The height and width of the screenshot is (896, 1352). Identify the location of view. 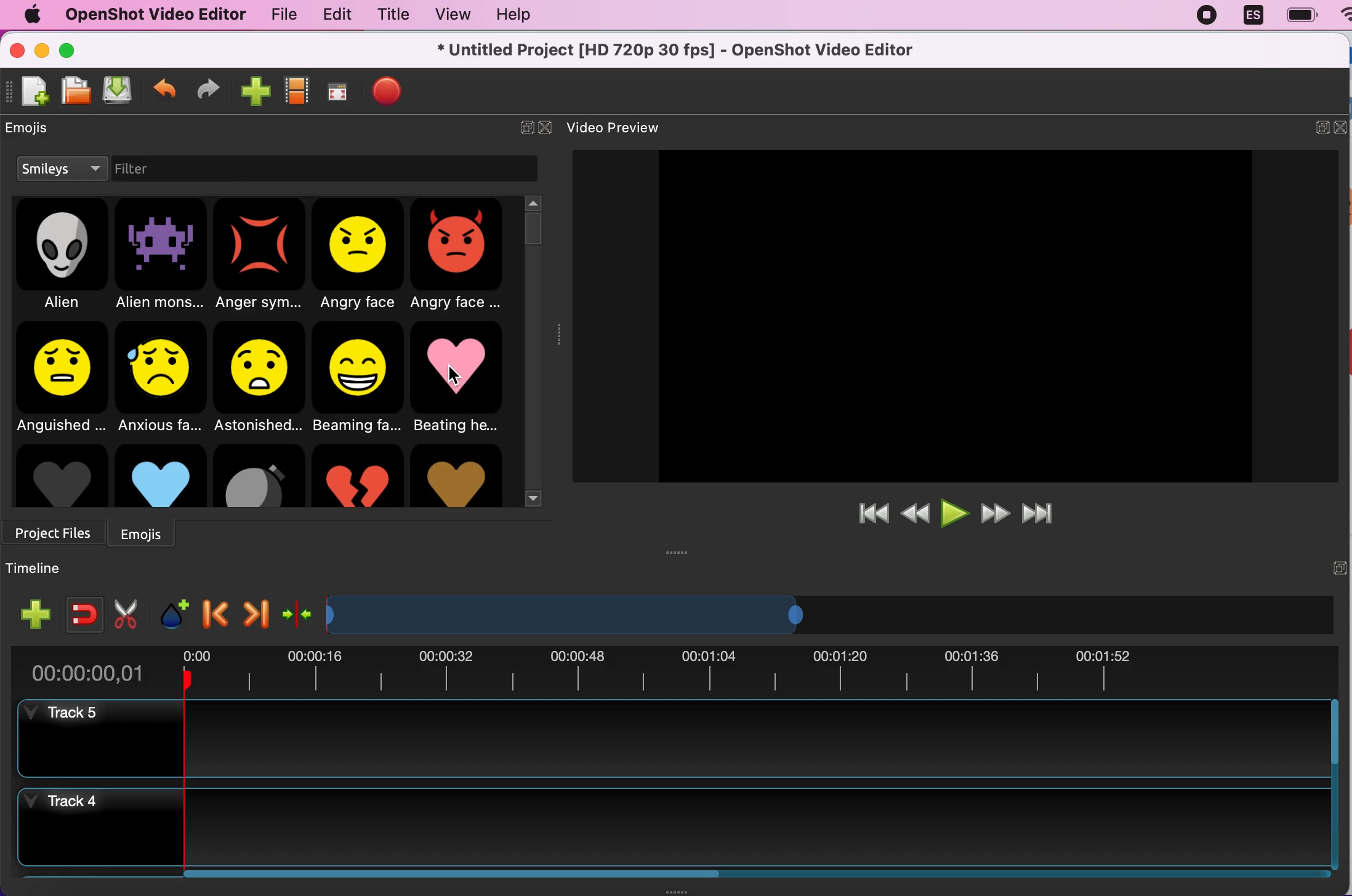
(446, 15).